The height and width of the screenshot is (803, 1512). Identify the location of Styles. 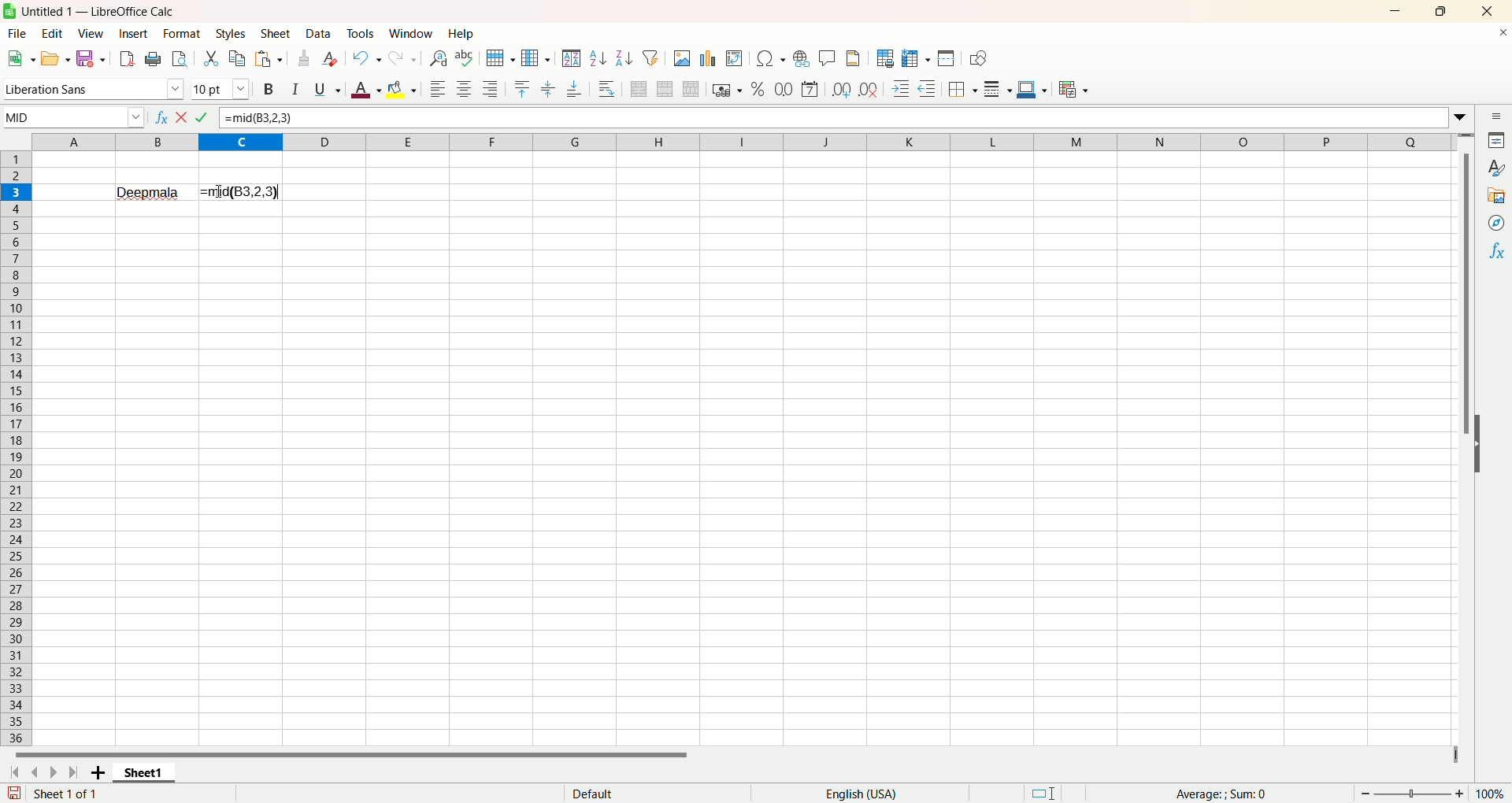
(231, 34).